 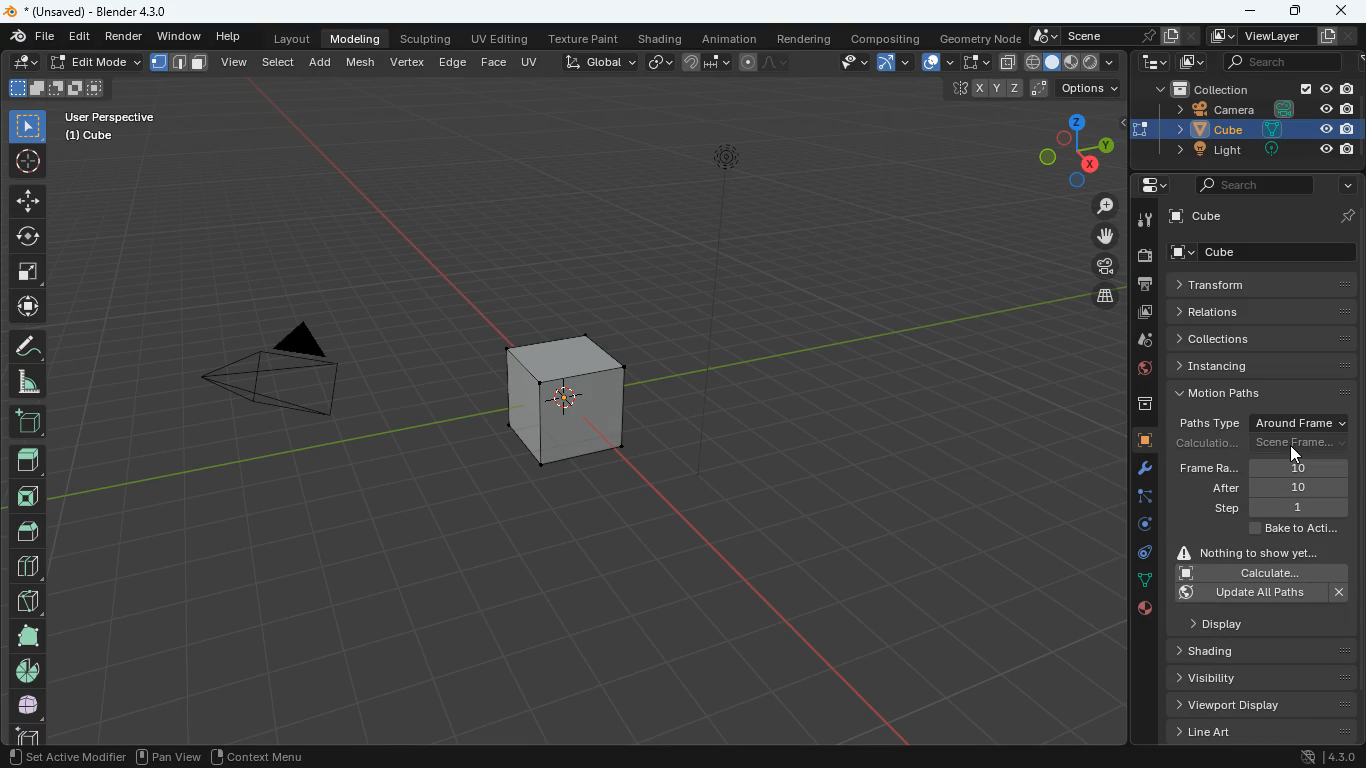 What do you see at coordinates (28, 125) in the screenshot?
I see `select` at bounding box center [28, 125].